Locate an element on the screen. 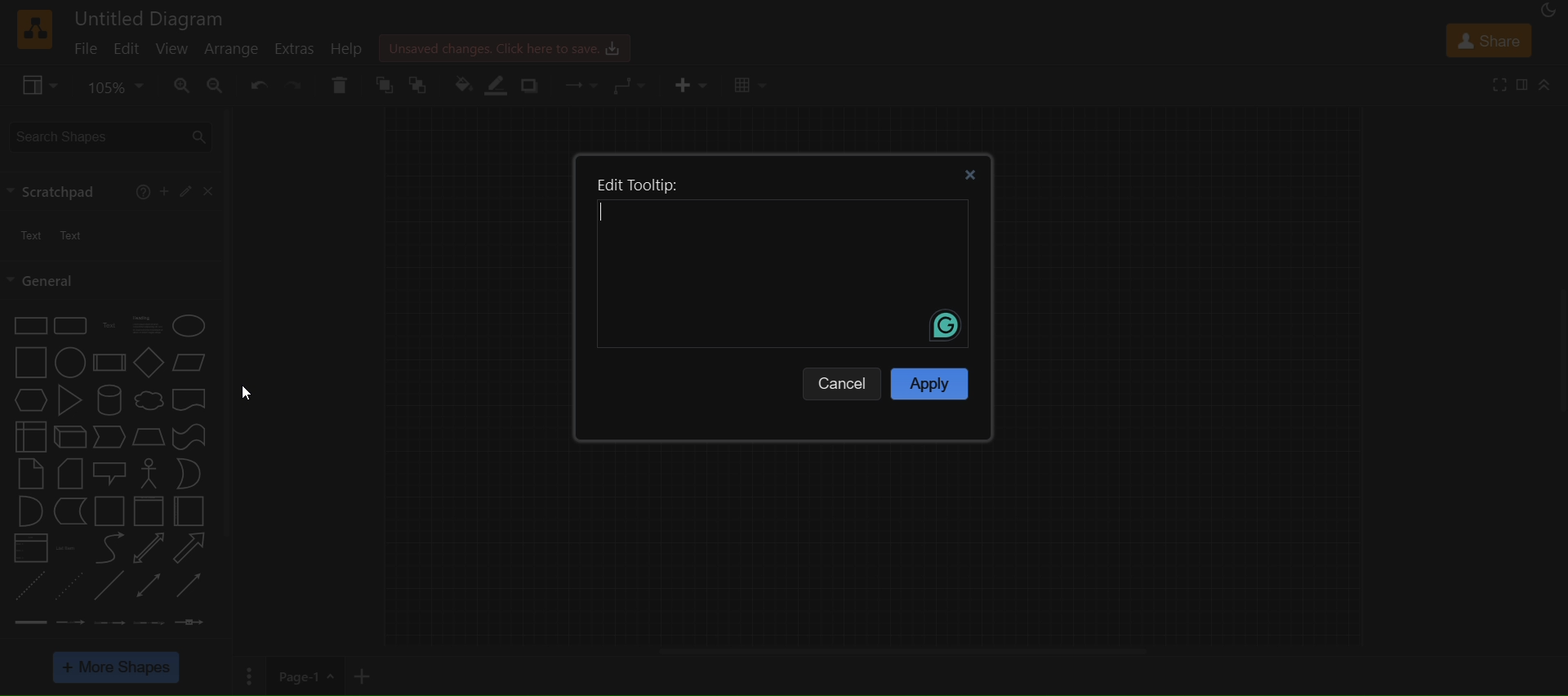 The image size is (1568, 696). circle is located at coordinates (70, 362).